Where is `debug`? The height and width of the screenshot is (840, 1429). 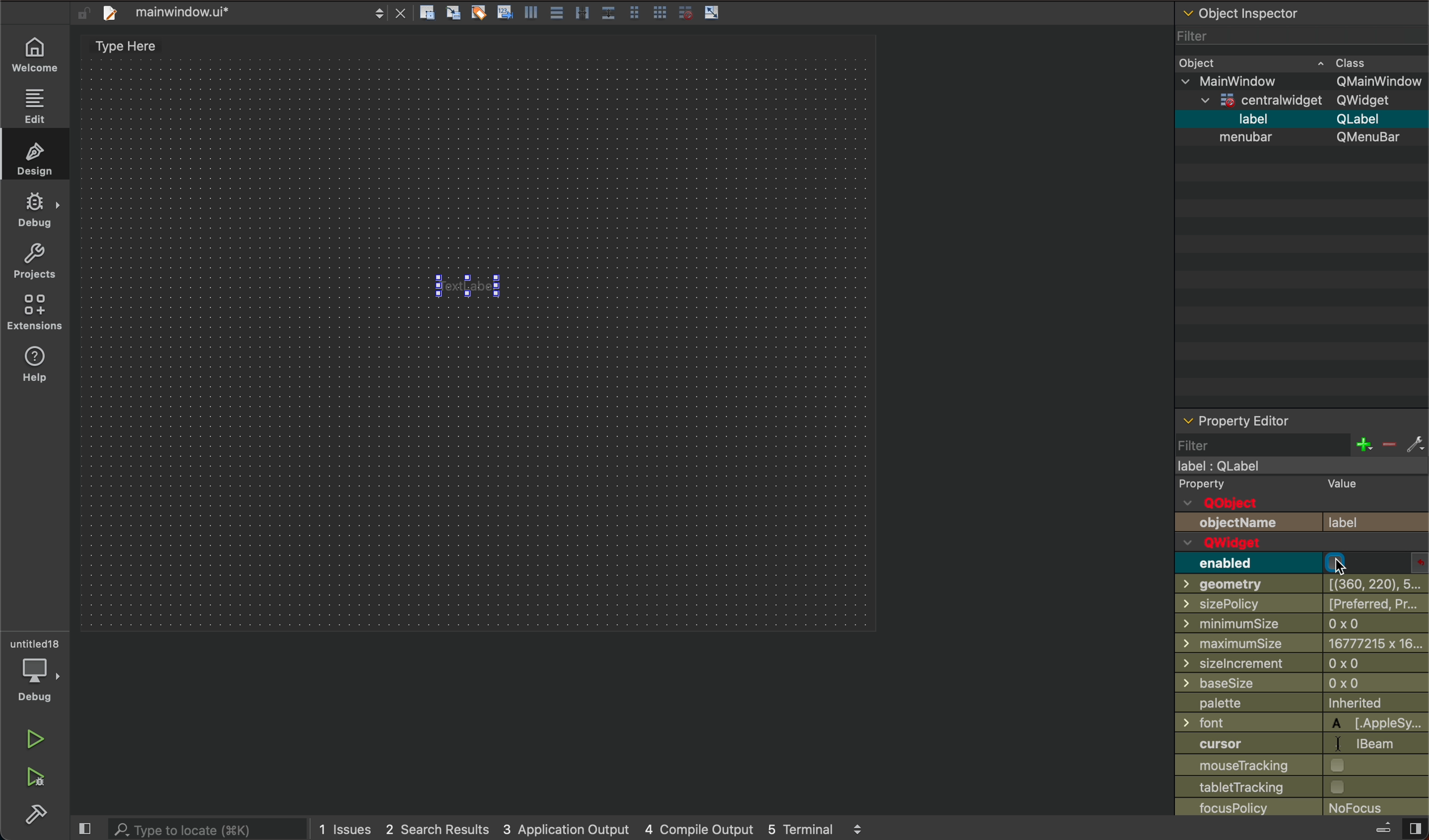 debug is located at coordinates (37, 215).